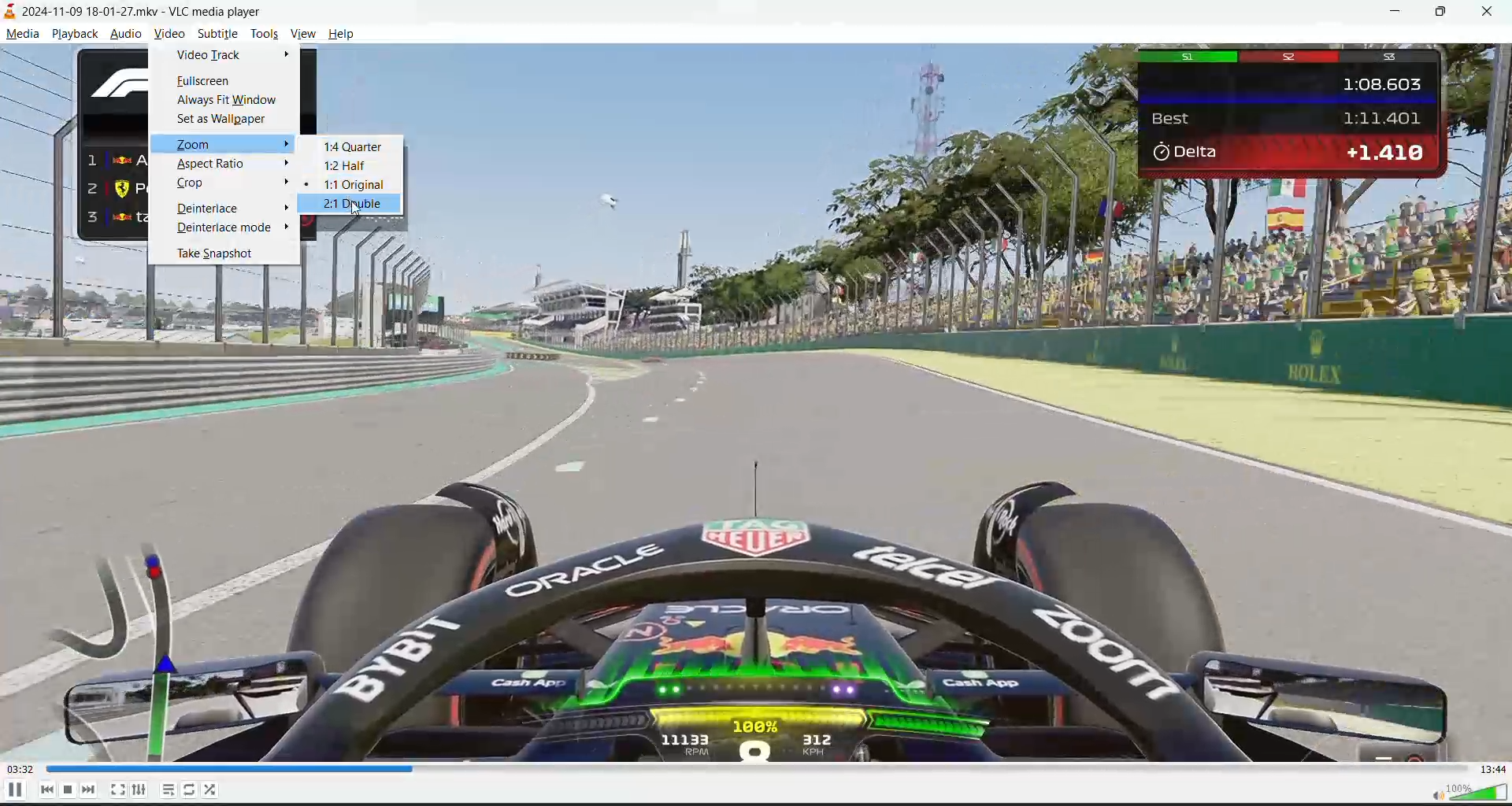 The height and width of the screenshot is (806, 1512). Describe the element at coordinates (1492, 769) in the screenshot. I see `total run time` at that location.